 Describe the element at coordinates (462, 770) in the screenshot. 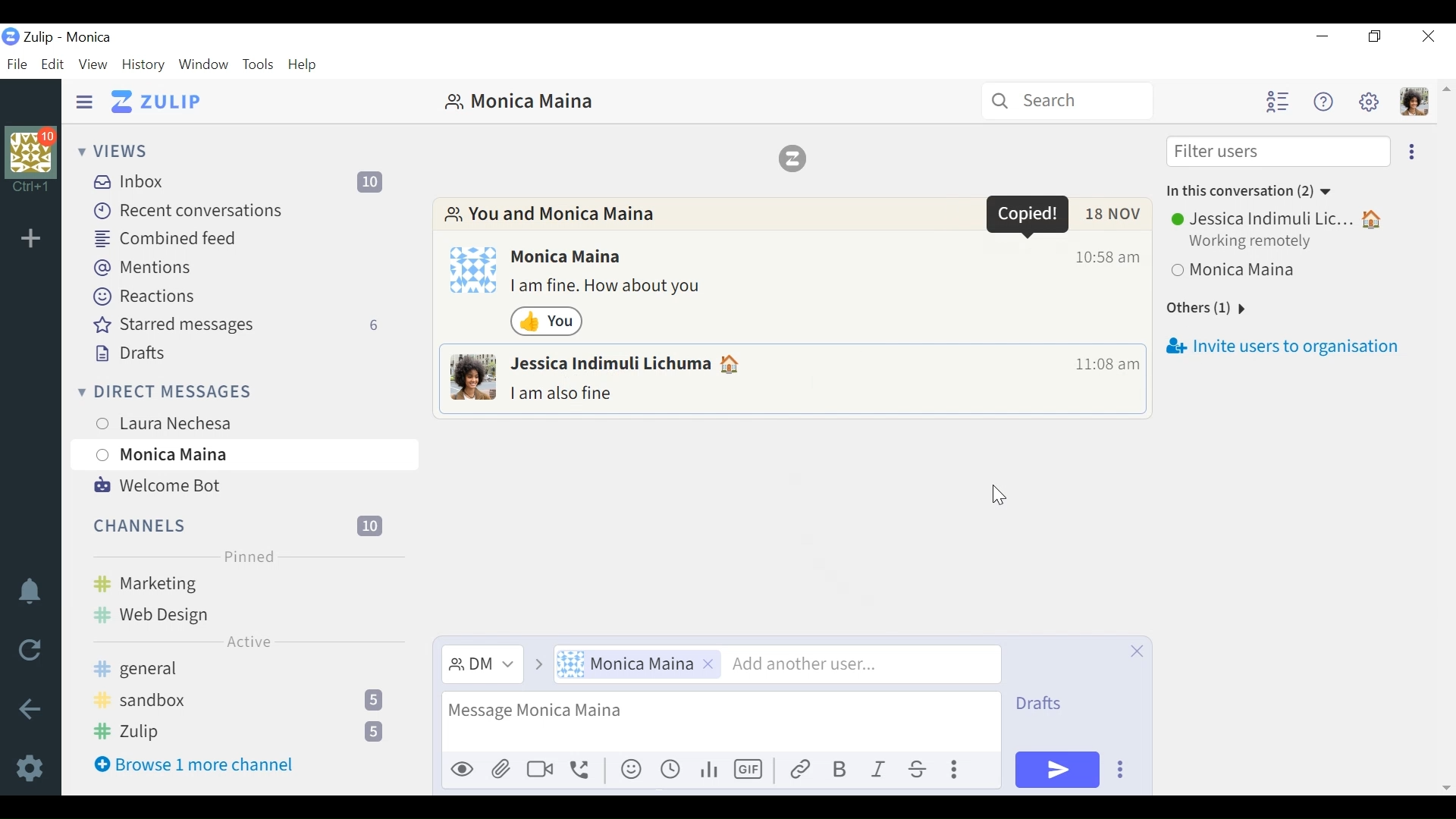

I see `Preview` at that location.